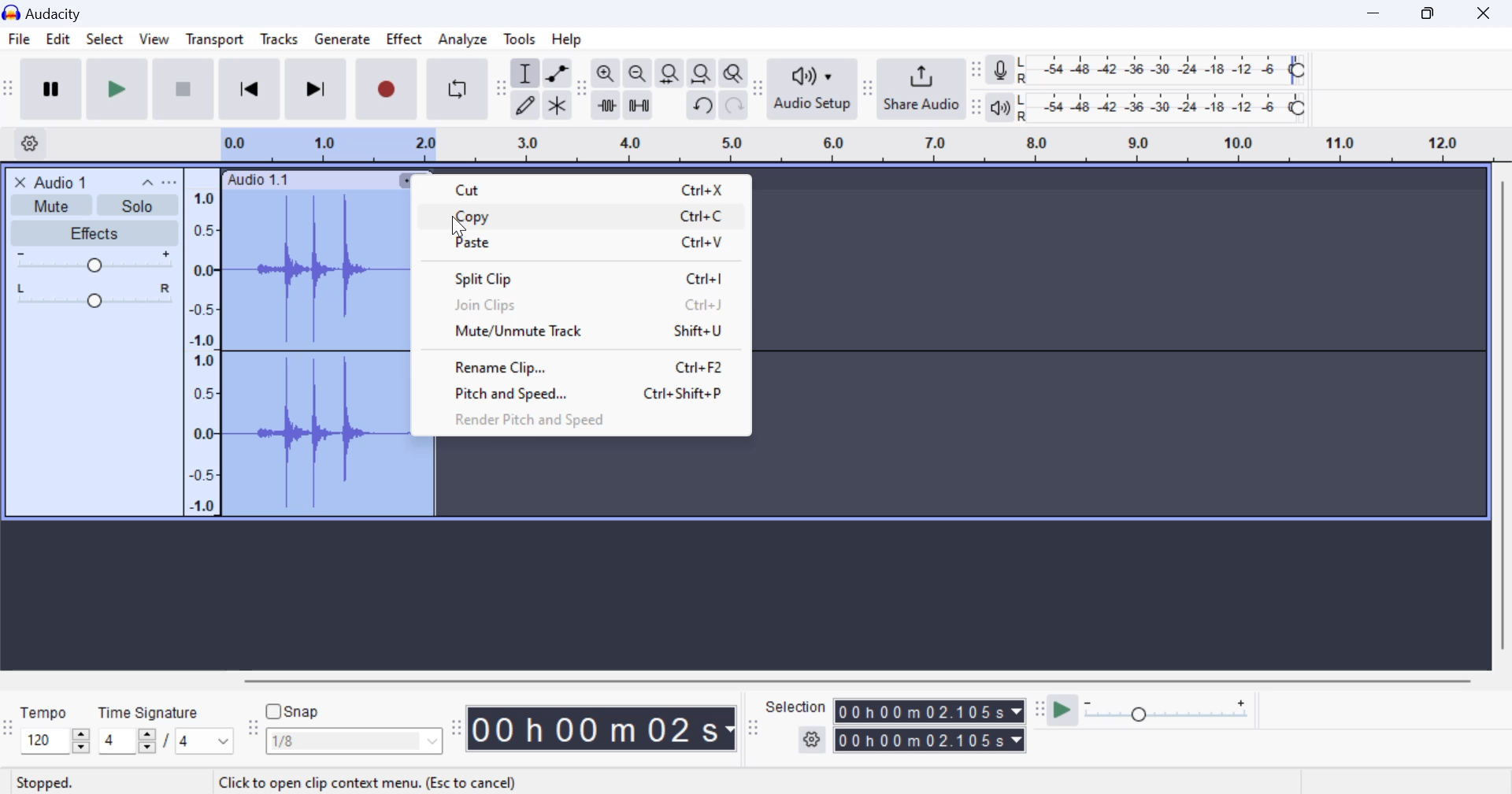  I want to click on collapse, so click(146, 181).